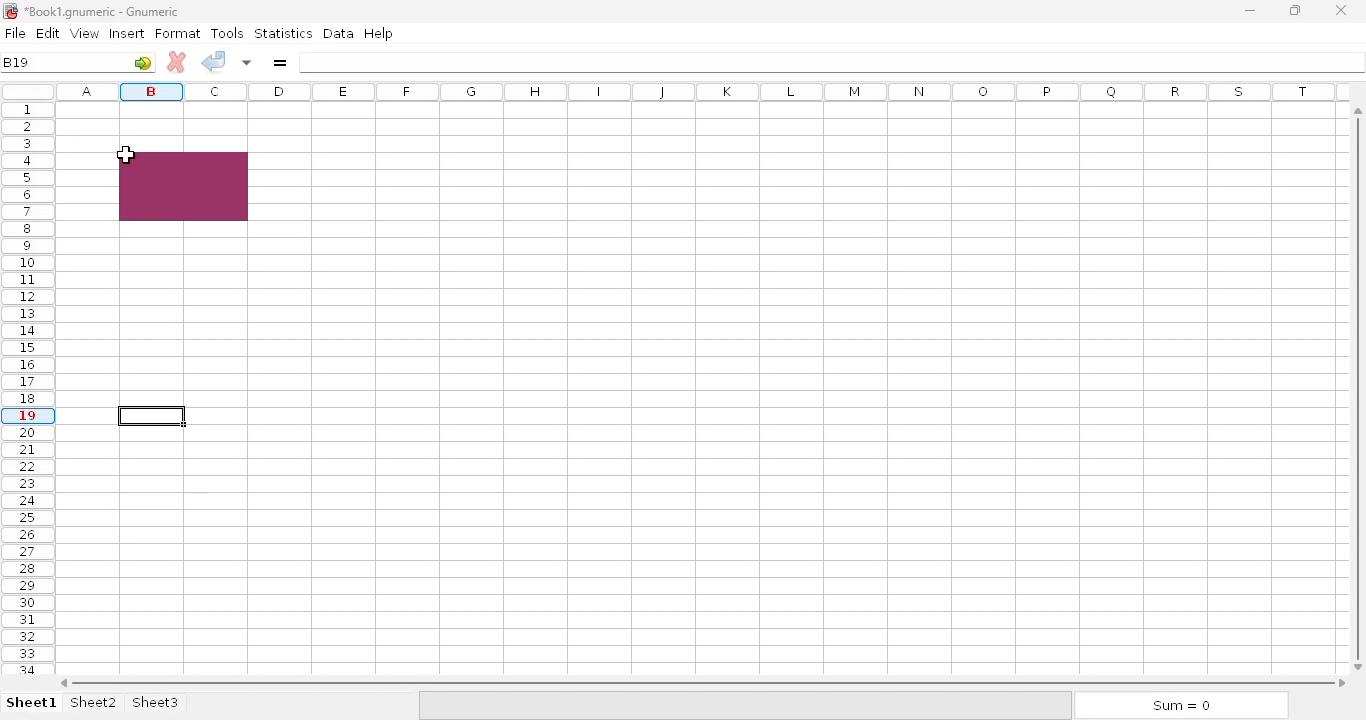  Describe the element at coordinates (283, 33) in the screenshot. I see `statistics` at that location.